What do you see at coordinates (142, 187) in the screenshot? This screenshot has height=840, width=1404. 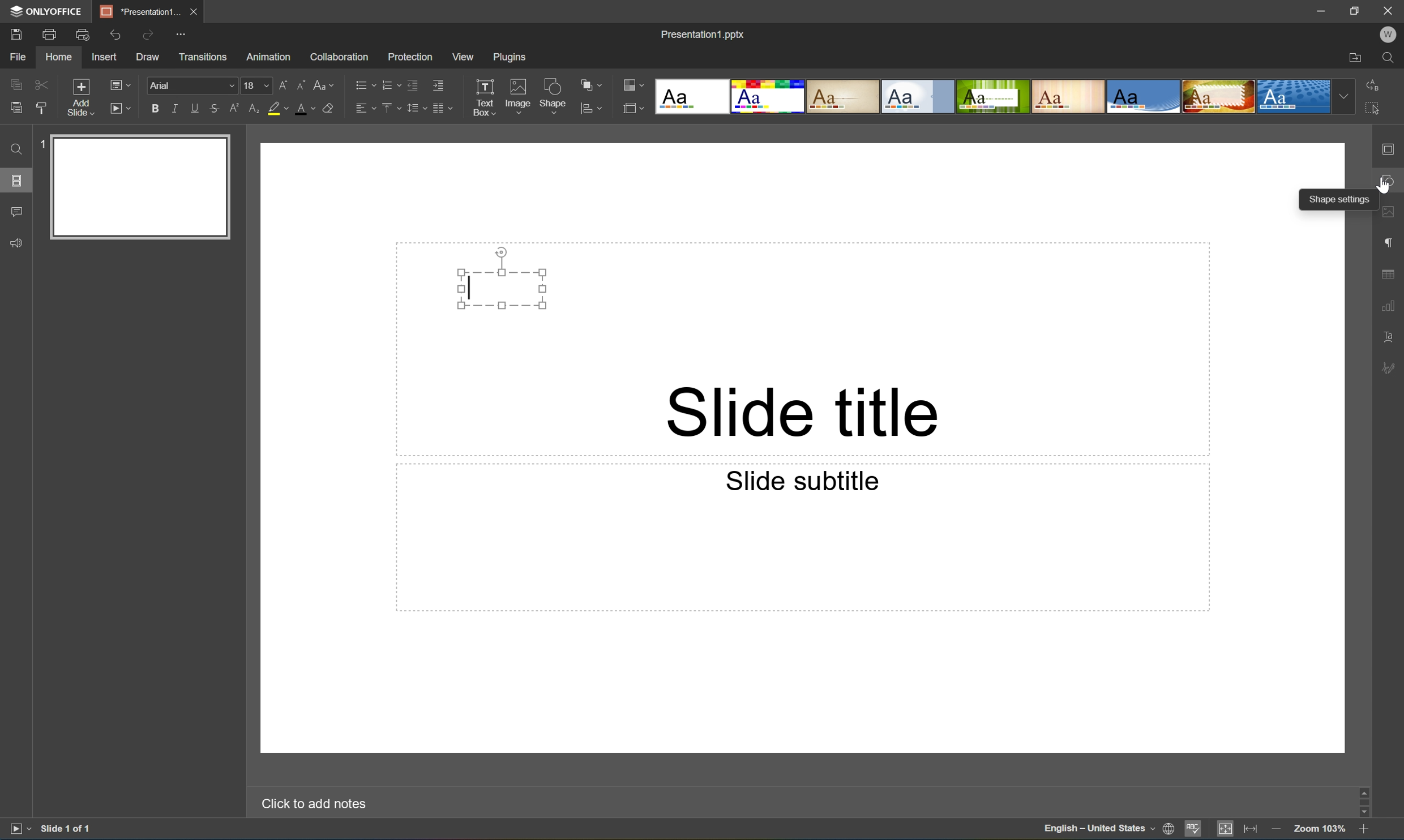 I see `Slide` at bounding box center [142, 187].